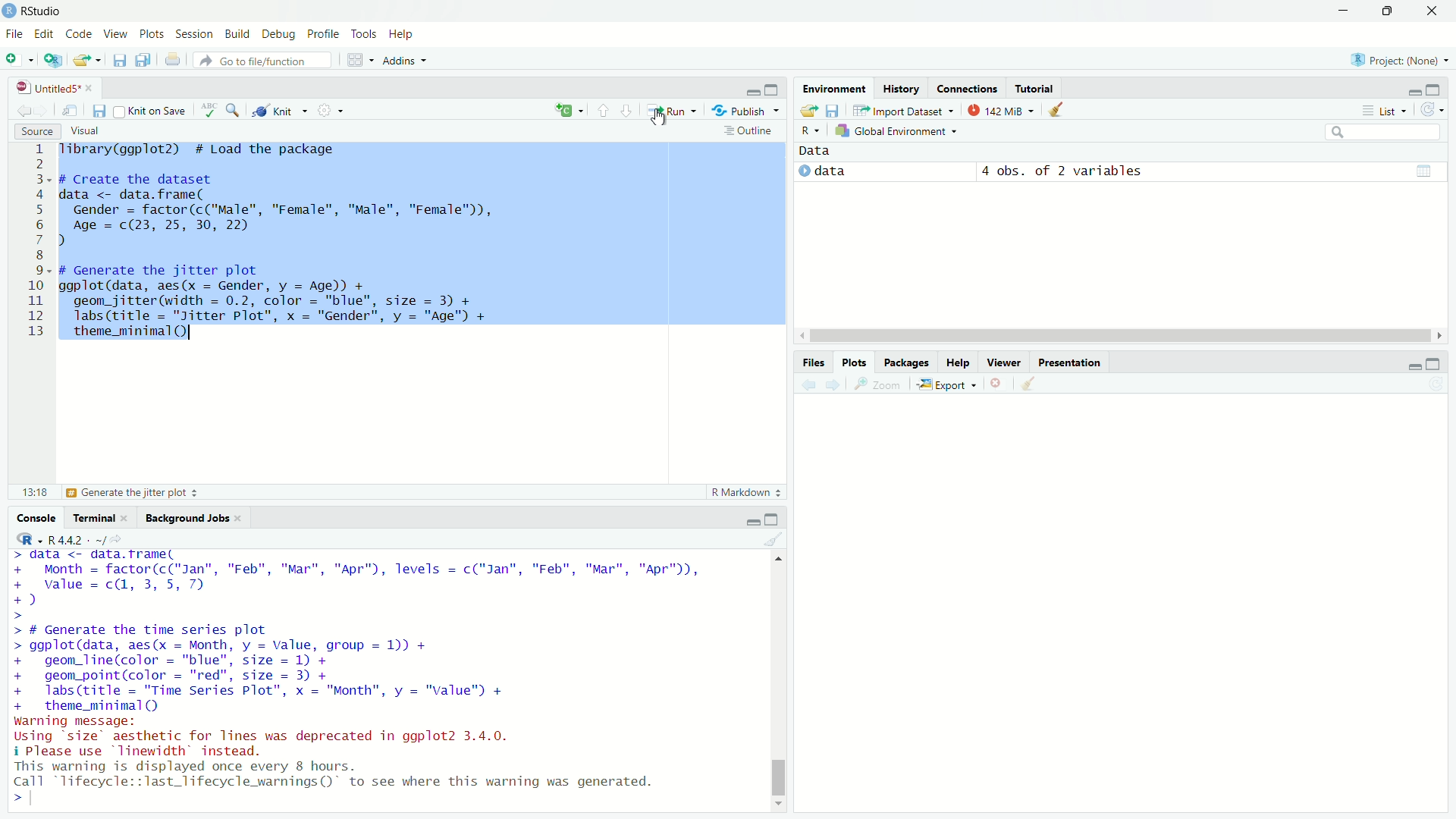  I want to click on select language, so click(22, 539).